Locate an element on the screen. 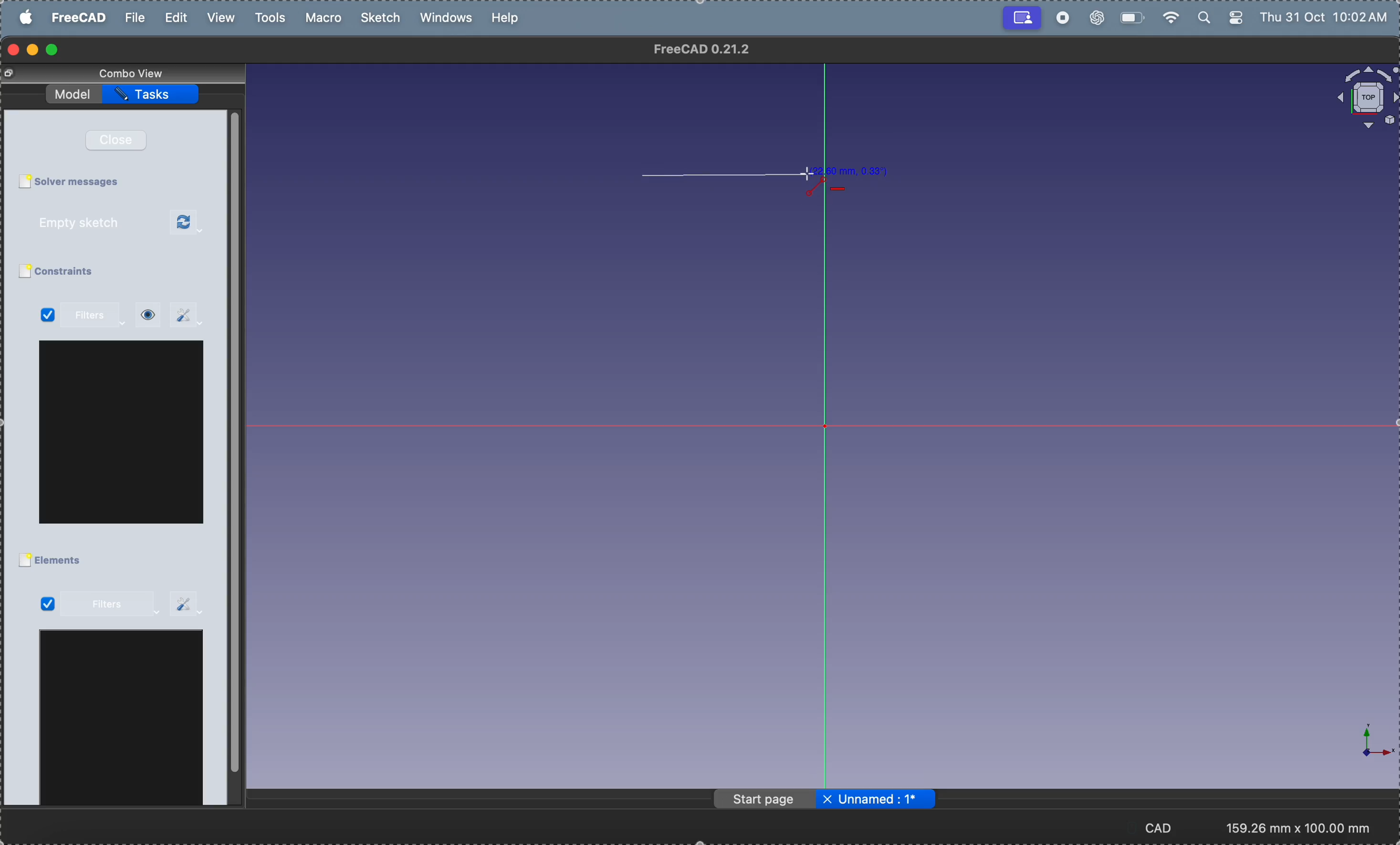 The height and width of the screenshot is (845, 1400). window is located at coordinates (123, 432).